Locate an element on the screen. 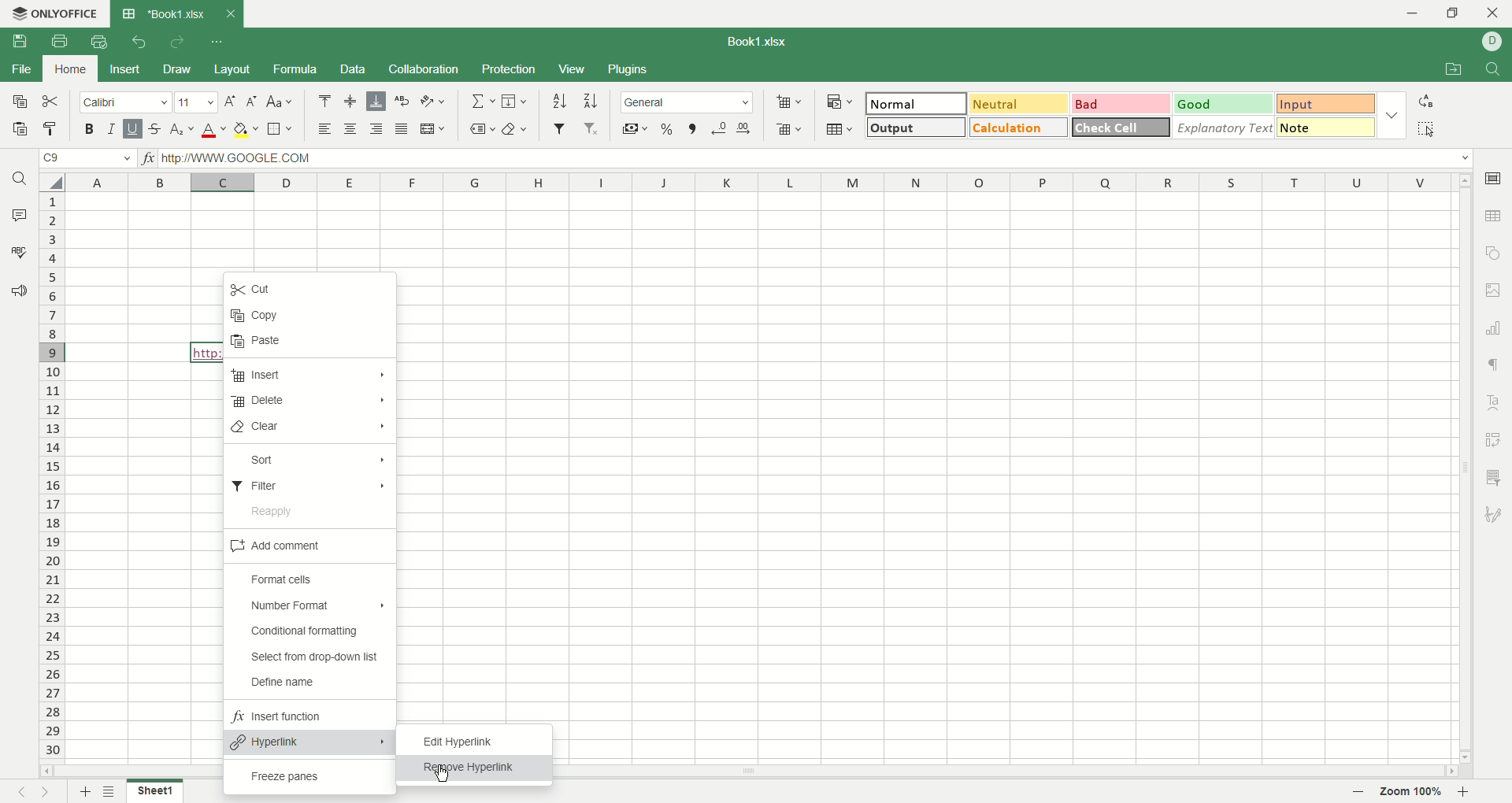 The height and width of the screenshot is (803, 1512). change case is located at coordinates (280, 103).